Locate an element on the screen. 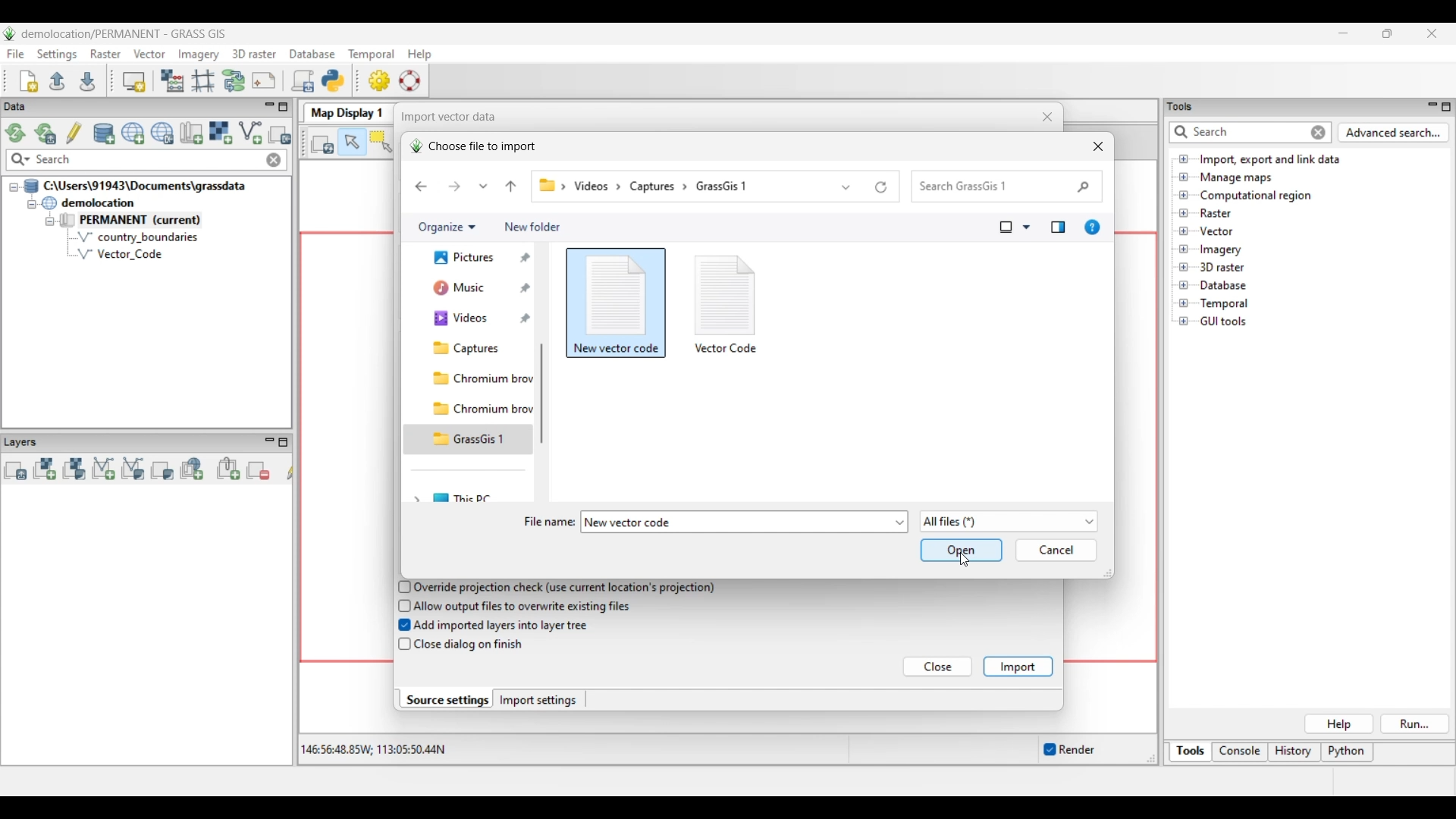 This screenshot has width=1456, height=819. Console is located at coordinates (1240, 753).